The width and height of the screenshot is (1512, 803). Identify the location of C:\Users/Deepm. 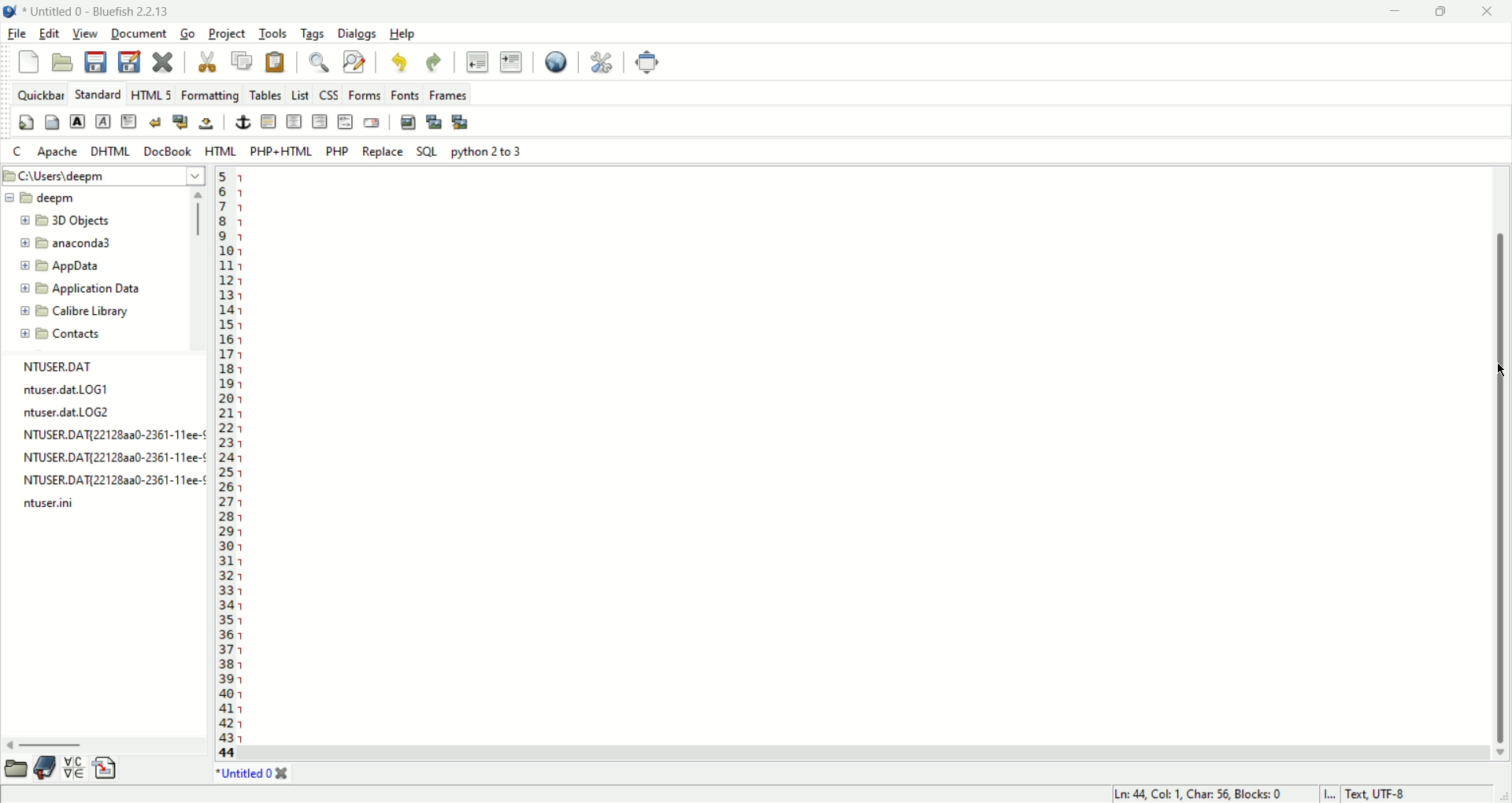
(101, 174).